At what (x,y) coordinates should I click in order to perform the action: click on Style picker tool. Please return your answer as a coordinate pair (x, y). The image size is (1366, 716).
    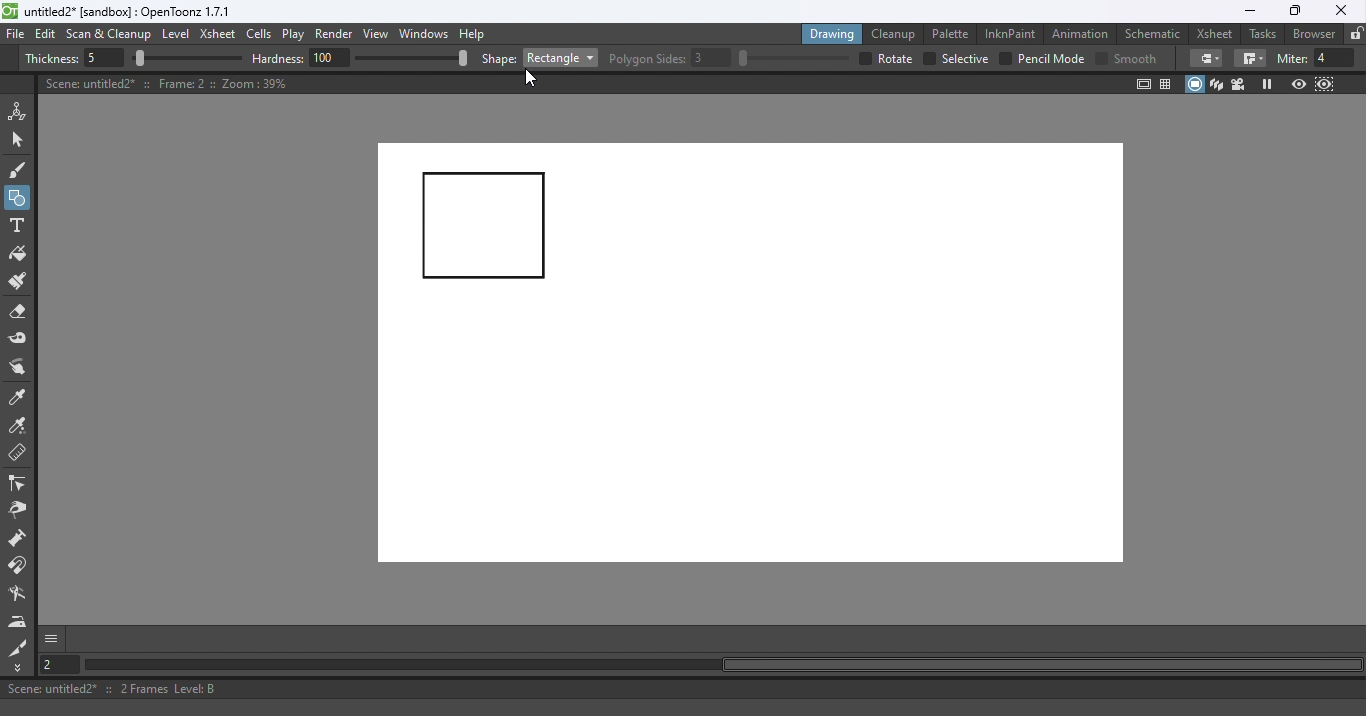
    Looking at the image, I should click on (19, 398).